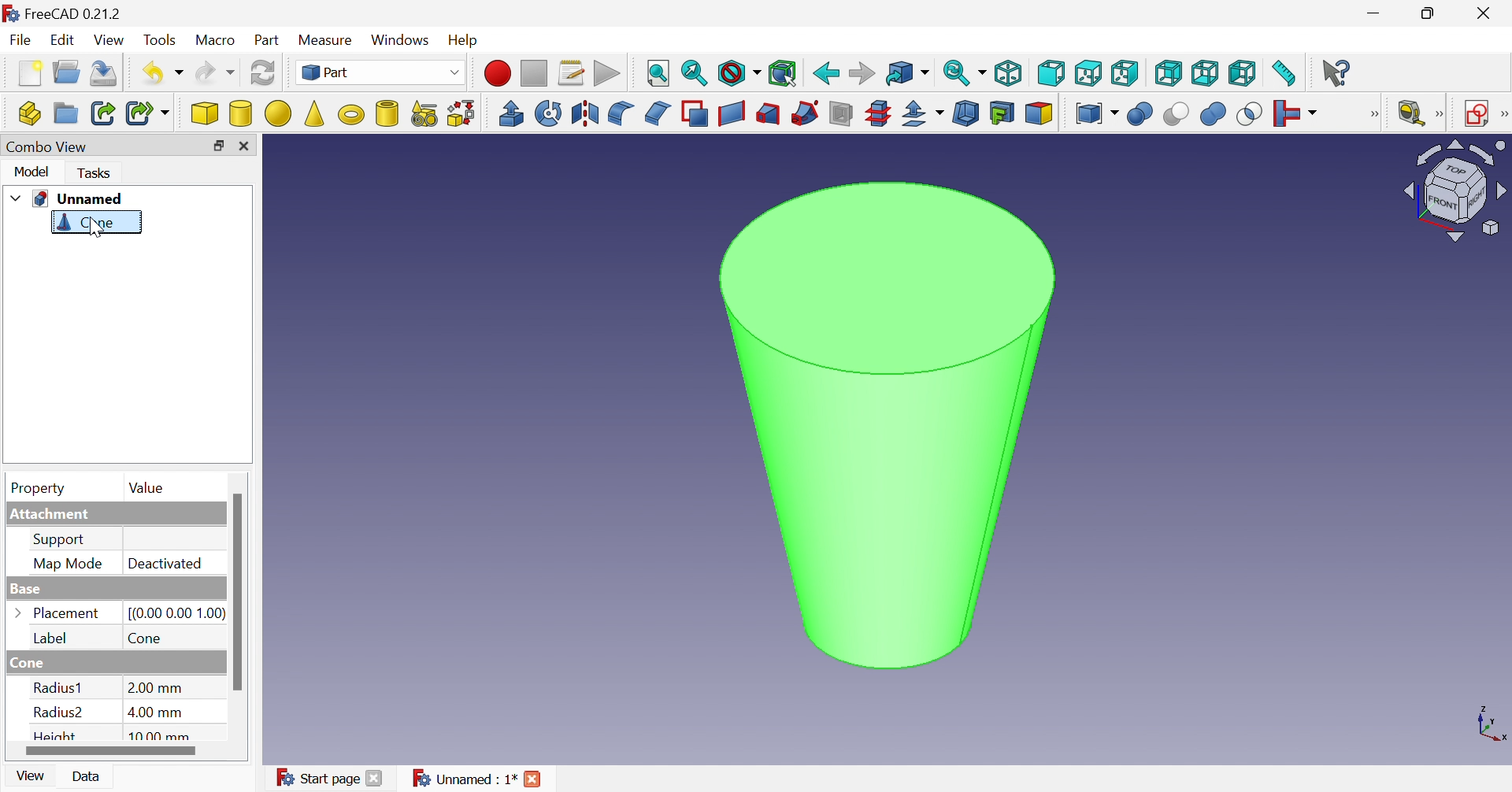 This screenshot has height=792, width=1512. What do you see at coordinates (30, 779) in the screenshot?
I see `View` at bounding box center [30, 779].